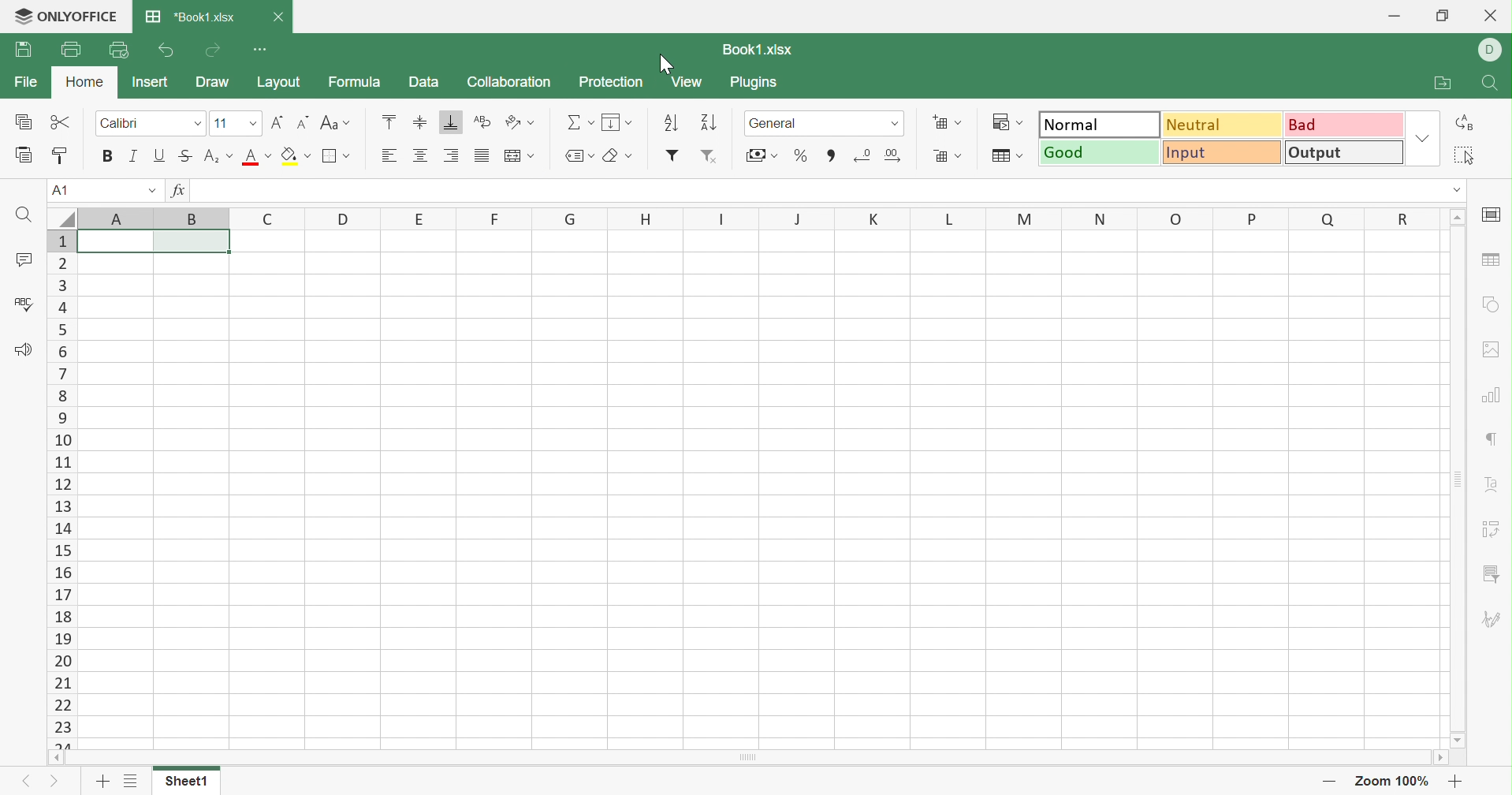 This screenshot has height=795, width=1512. What do you see at coordinates (183, 189) in the screenshot?
I see `fx` at bounding box center [183, 189].